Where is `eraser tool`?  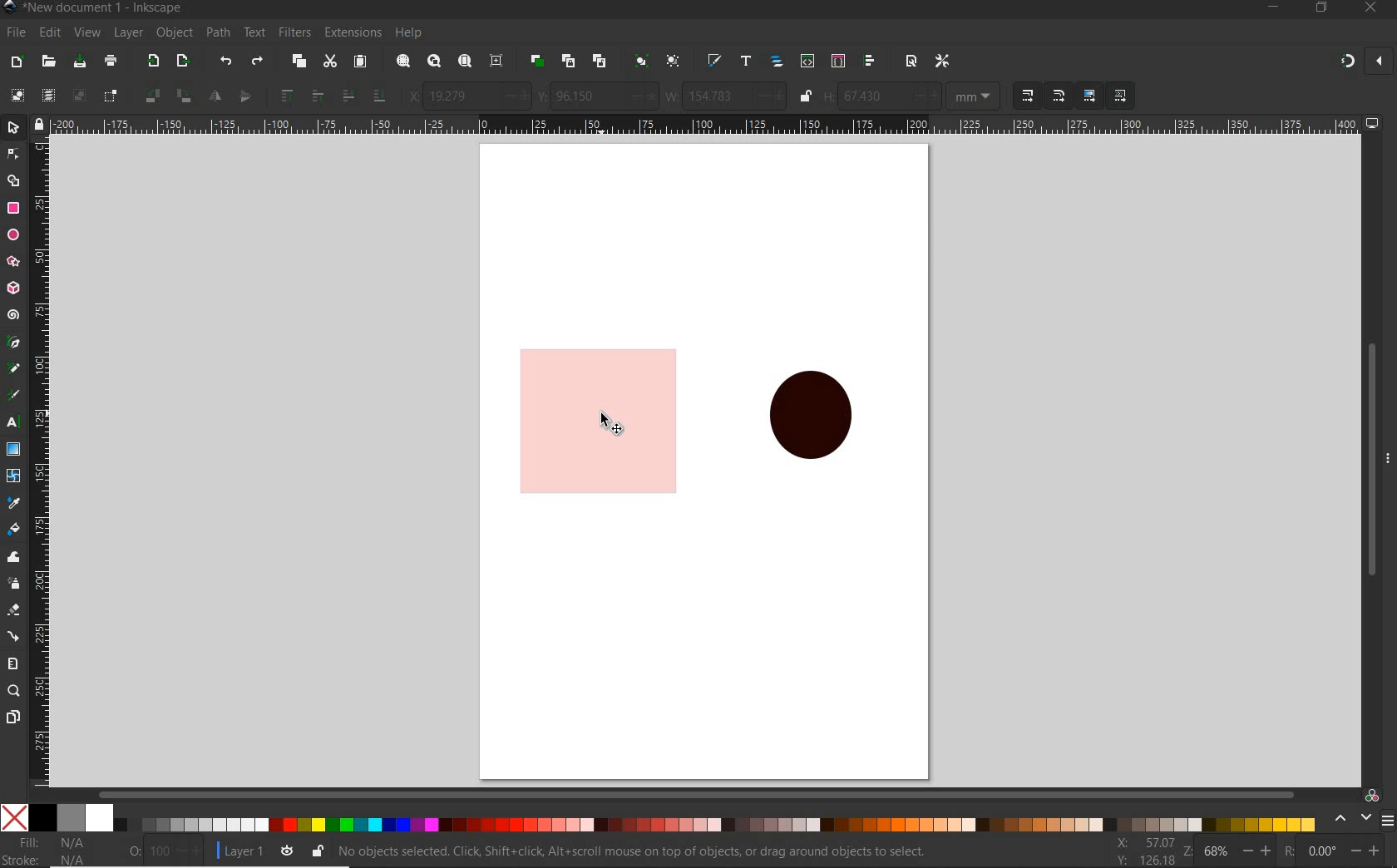 eraser tool is located at coordinates (12, 611).